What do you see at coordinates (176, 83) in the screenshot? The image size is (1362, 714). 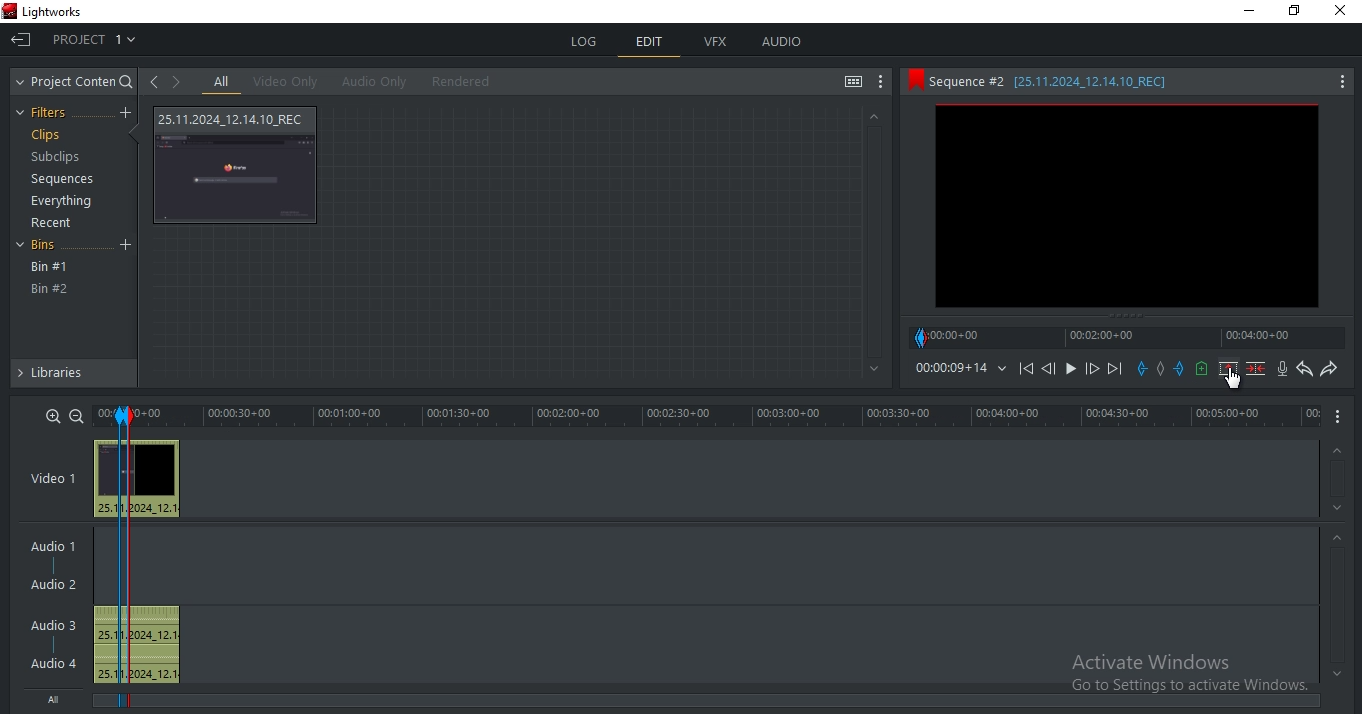 I see `` at bounding box center [176, 83].